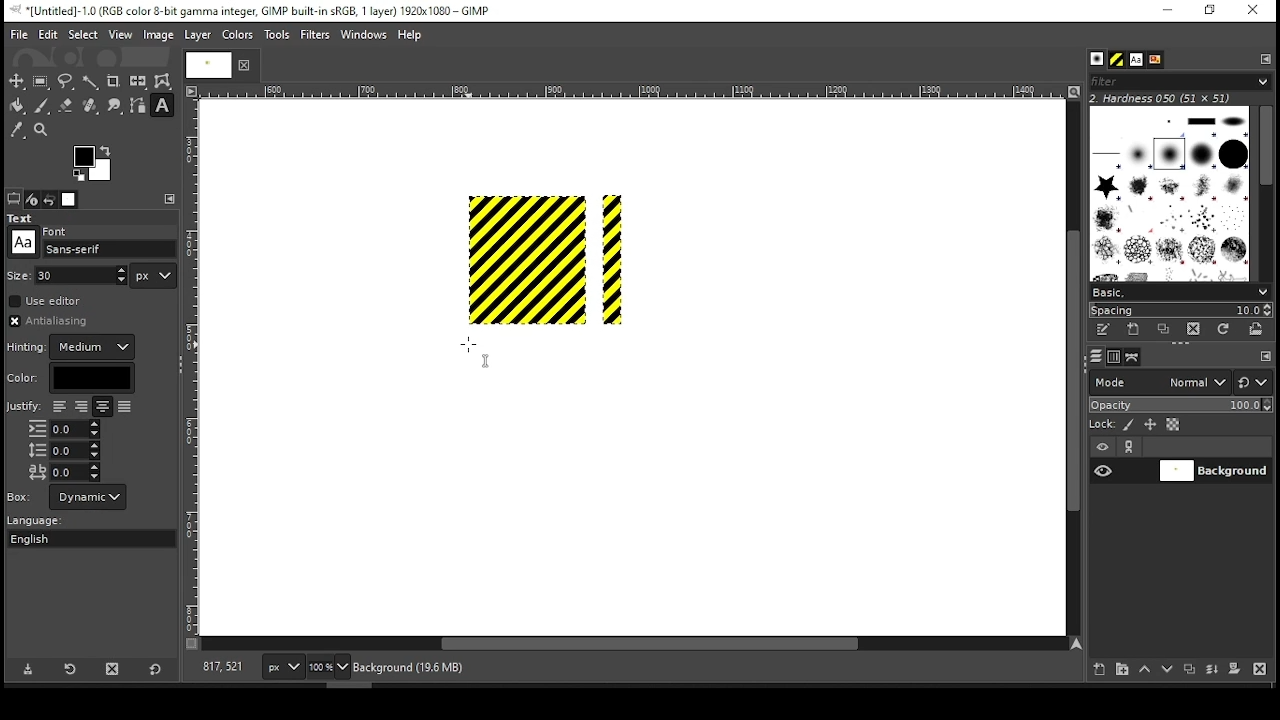 The height and width of the screenshot is (720, 1280). I want to click on minimize, so click(1166, 11).